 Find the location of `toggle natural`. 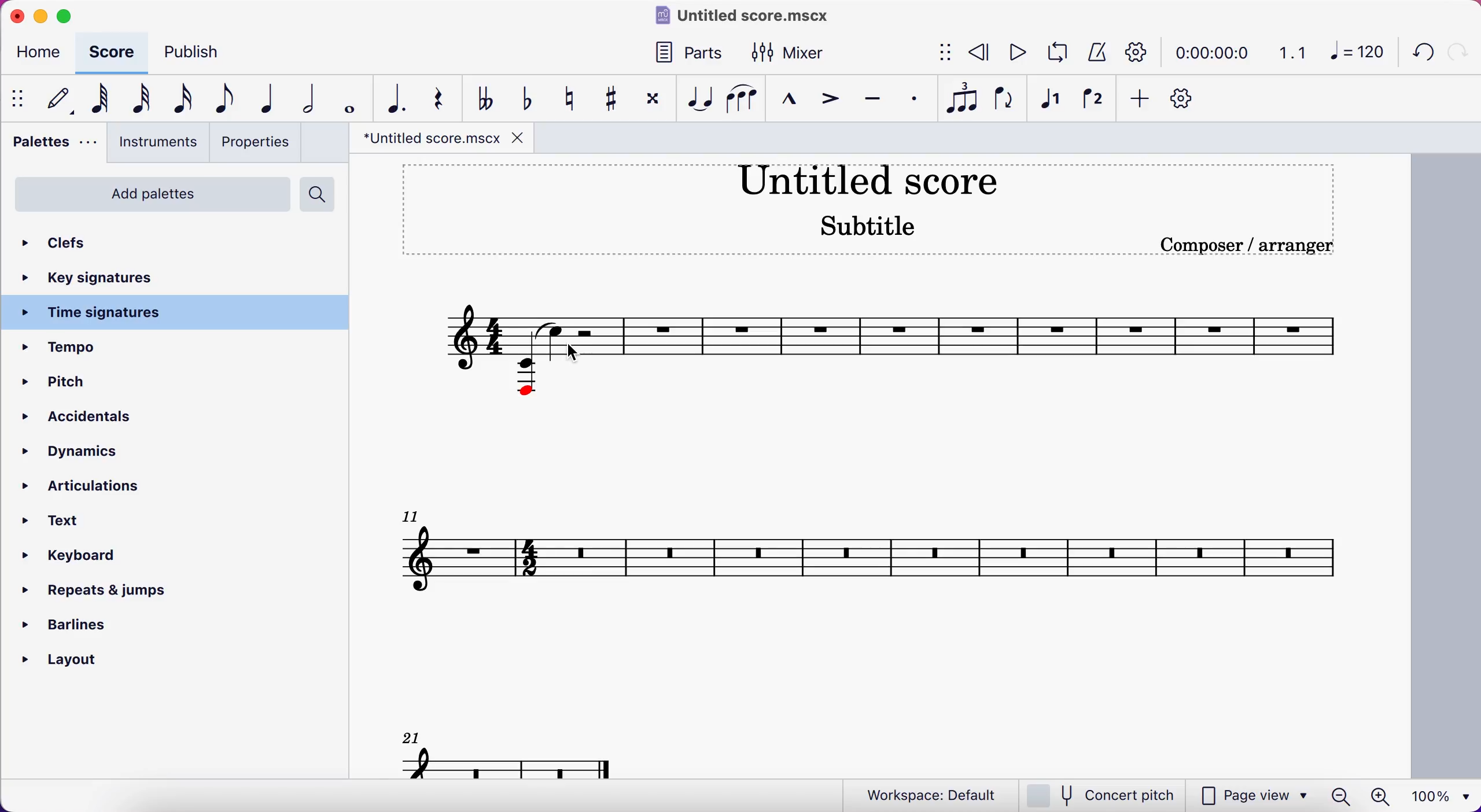

toggle natural is located at coordinates (572, 99).